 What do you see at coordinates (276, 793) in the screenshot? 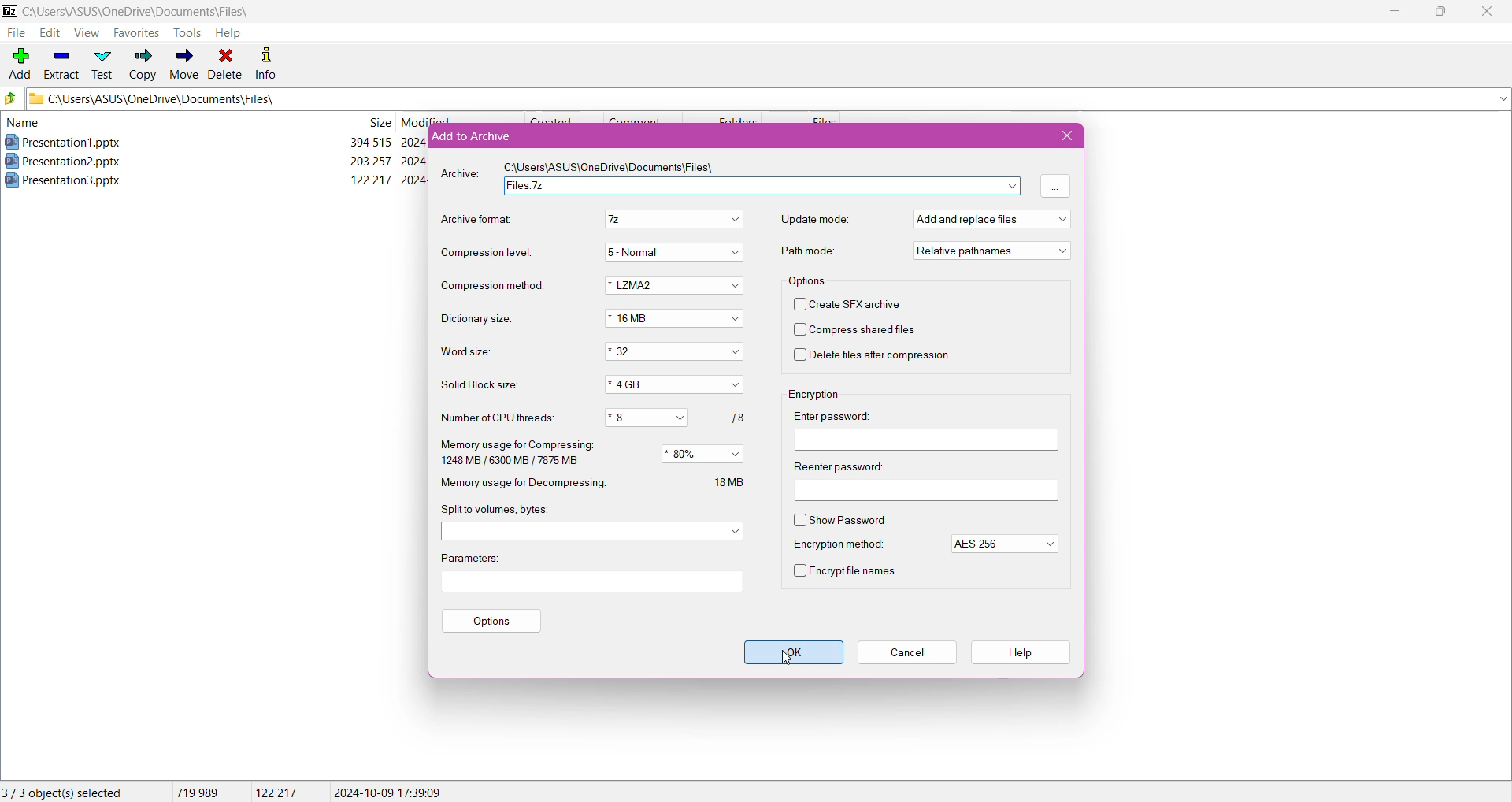
I see `122217` at bounding box center [276, 793].